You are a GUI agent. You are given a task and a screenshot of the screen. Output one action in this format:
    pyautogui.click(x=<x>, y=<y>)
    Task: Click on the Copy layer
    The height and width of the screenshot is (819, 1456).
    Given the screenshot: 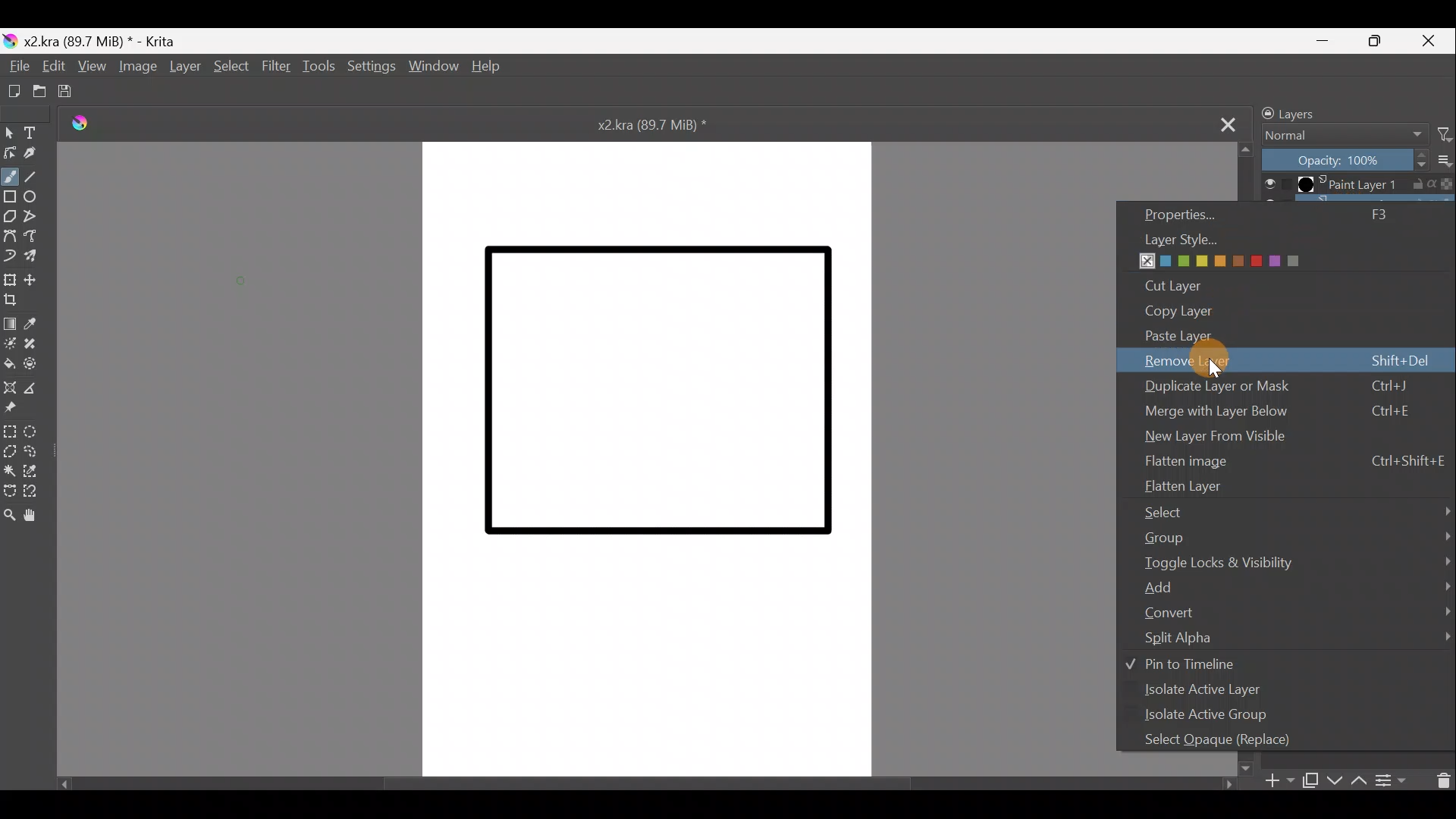 What is the action you would take?
    pyautogui.click(x=1207, y=311)
    